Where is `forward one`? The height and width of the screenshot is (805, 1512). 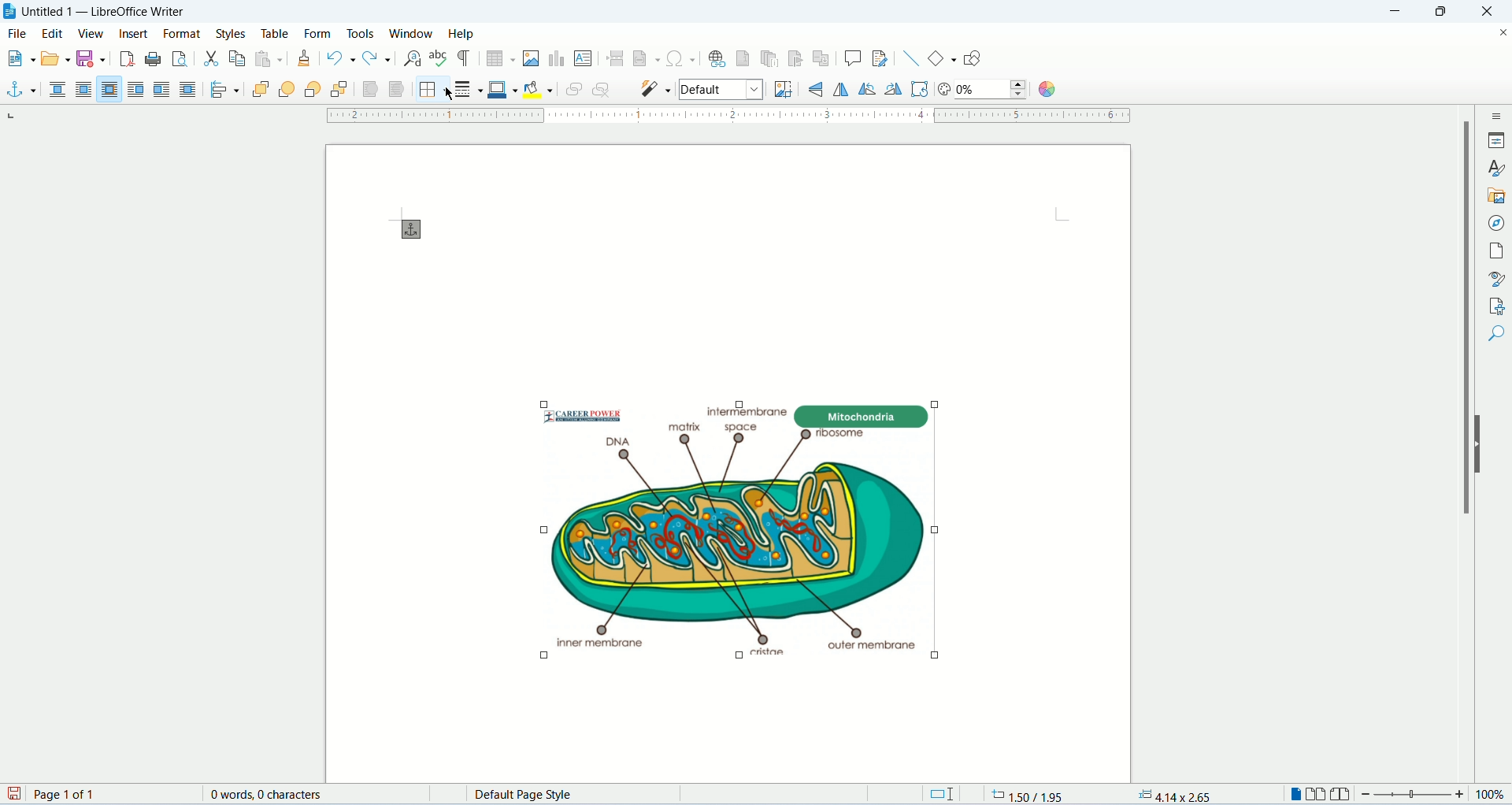 forward one is located at coordinates (287, 91).